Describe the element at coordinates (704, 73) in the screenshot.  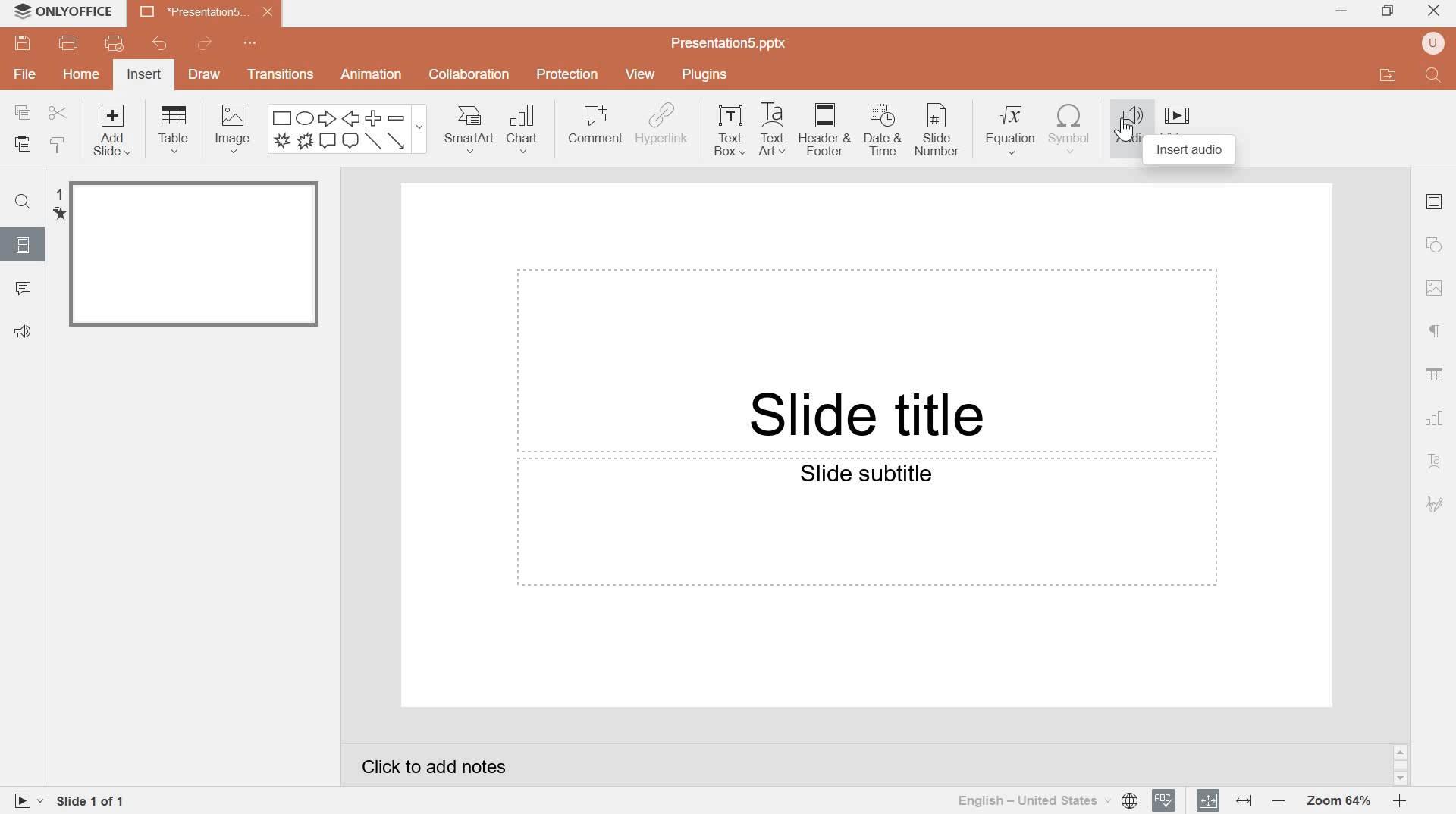
I see `Plugins` at that location.